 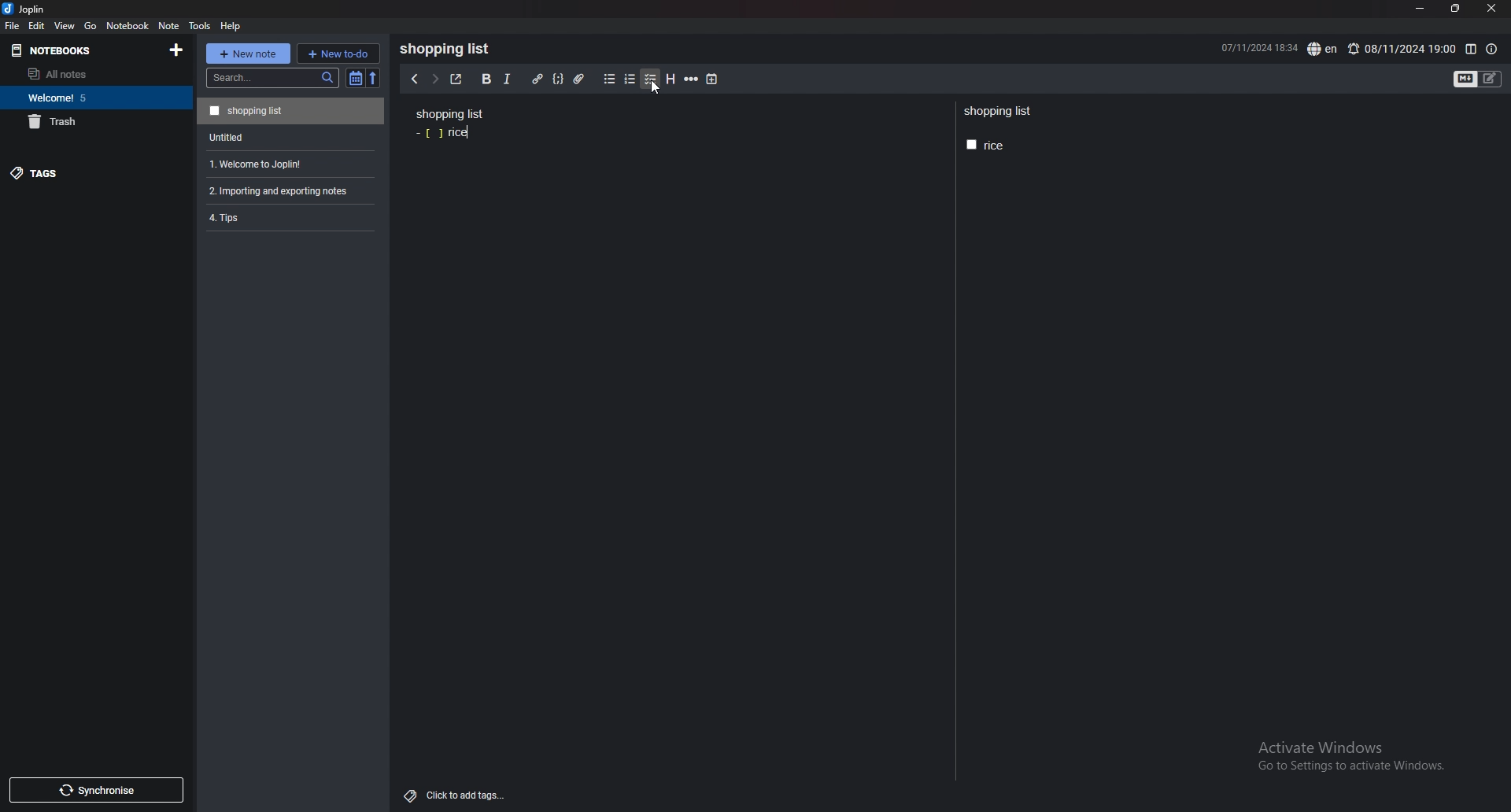 I want to click on code, so click(x=558, y=79).